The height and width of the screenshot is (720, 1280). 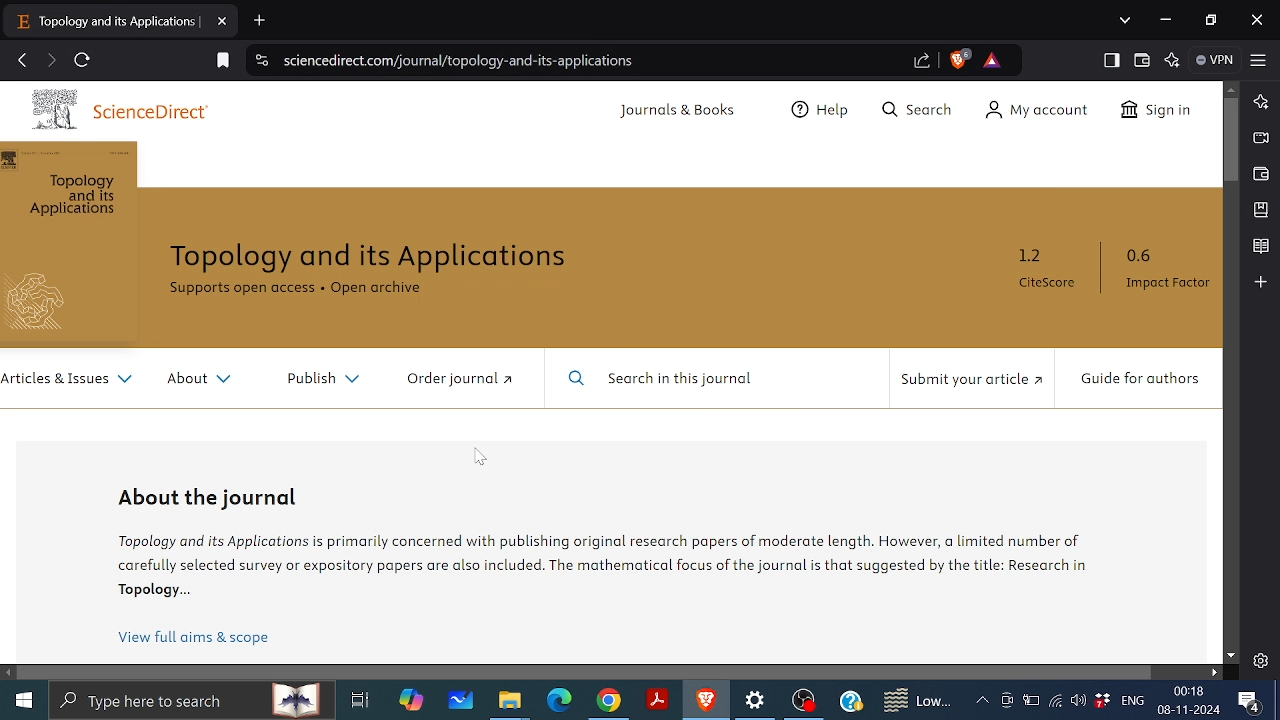 I want to click on 00:17 08-11-2024, so click(x=1188, y=700).